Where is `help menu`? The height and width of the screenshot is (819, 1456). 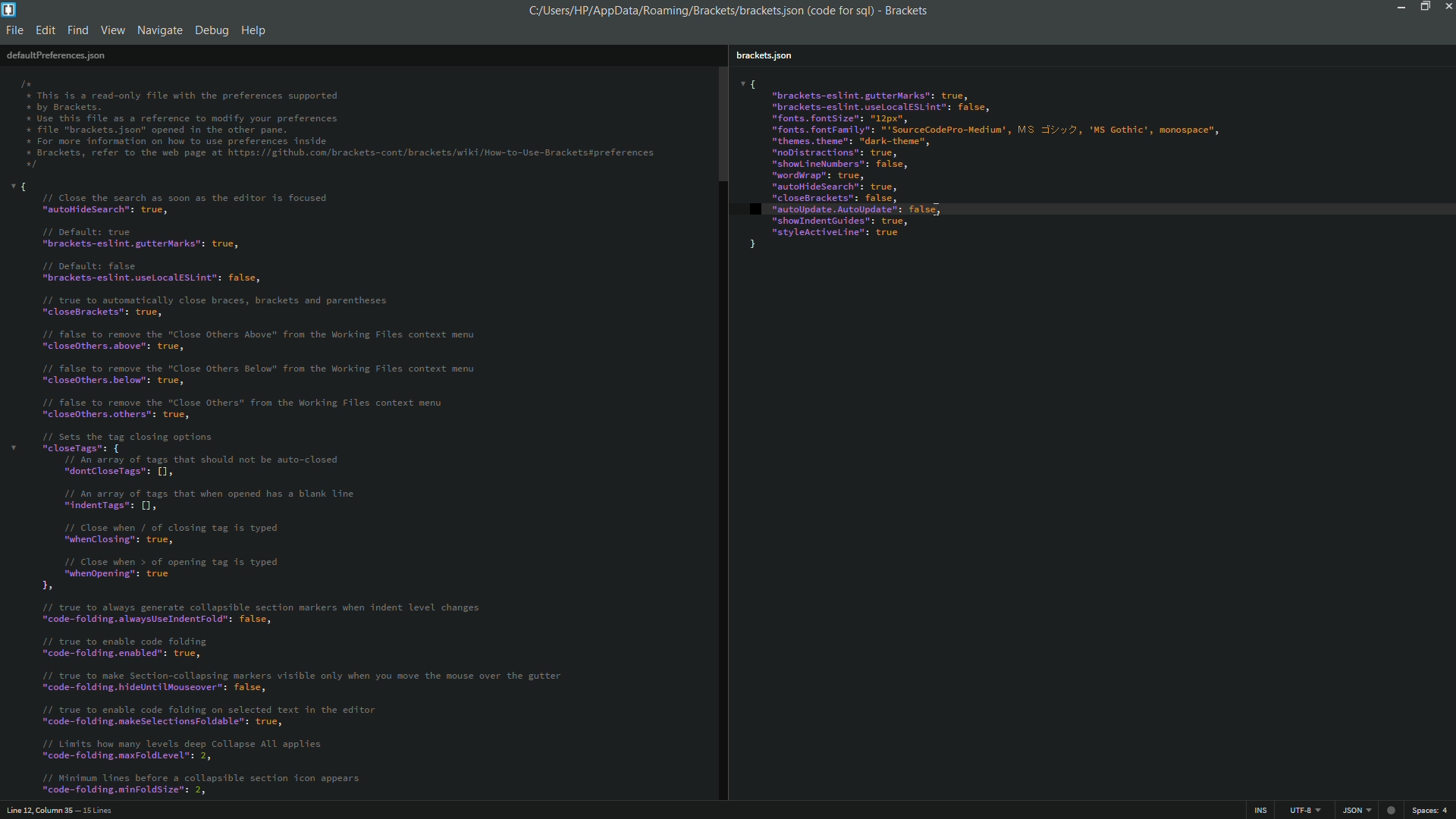 help menu is located at coordinates (255, 30).